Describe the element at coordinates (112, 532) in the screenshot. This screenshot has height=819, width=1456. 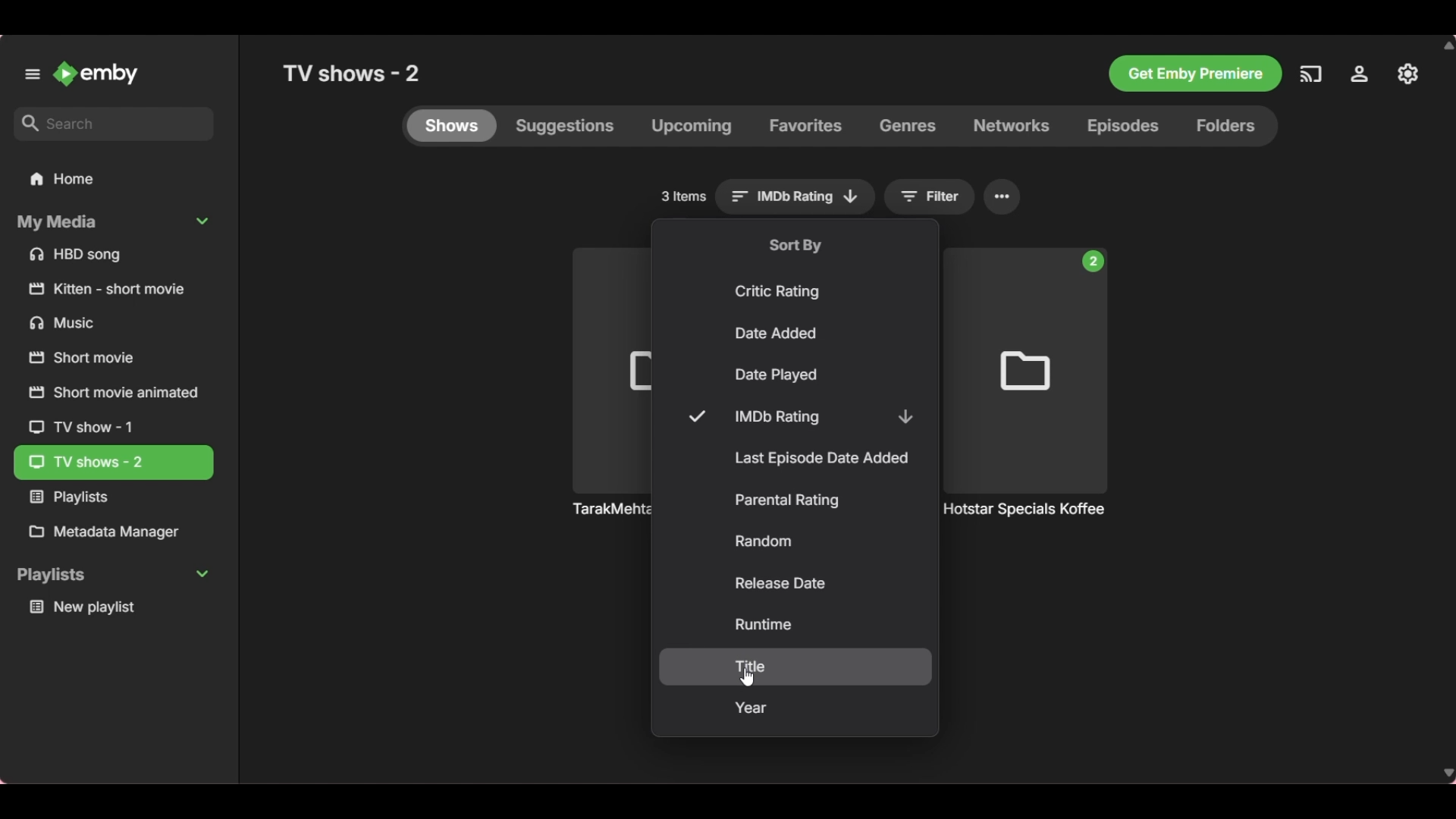
I see `Metadata Manager` at that location.